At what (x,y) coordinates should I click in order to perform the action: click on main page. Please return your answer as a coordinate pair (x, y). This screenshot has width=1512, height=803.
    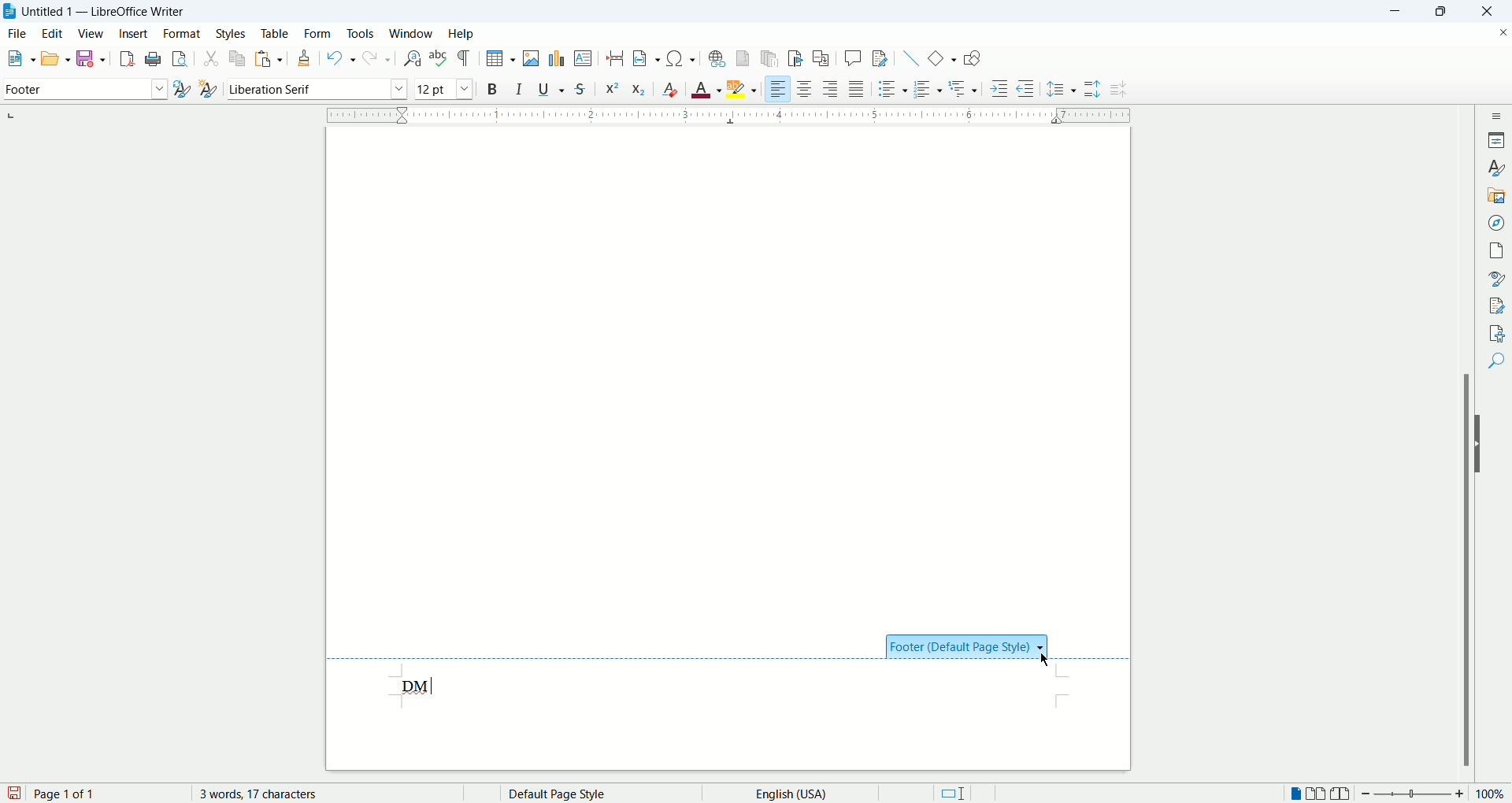
    Looking at the image, I should click on (730, 372).